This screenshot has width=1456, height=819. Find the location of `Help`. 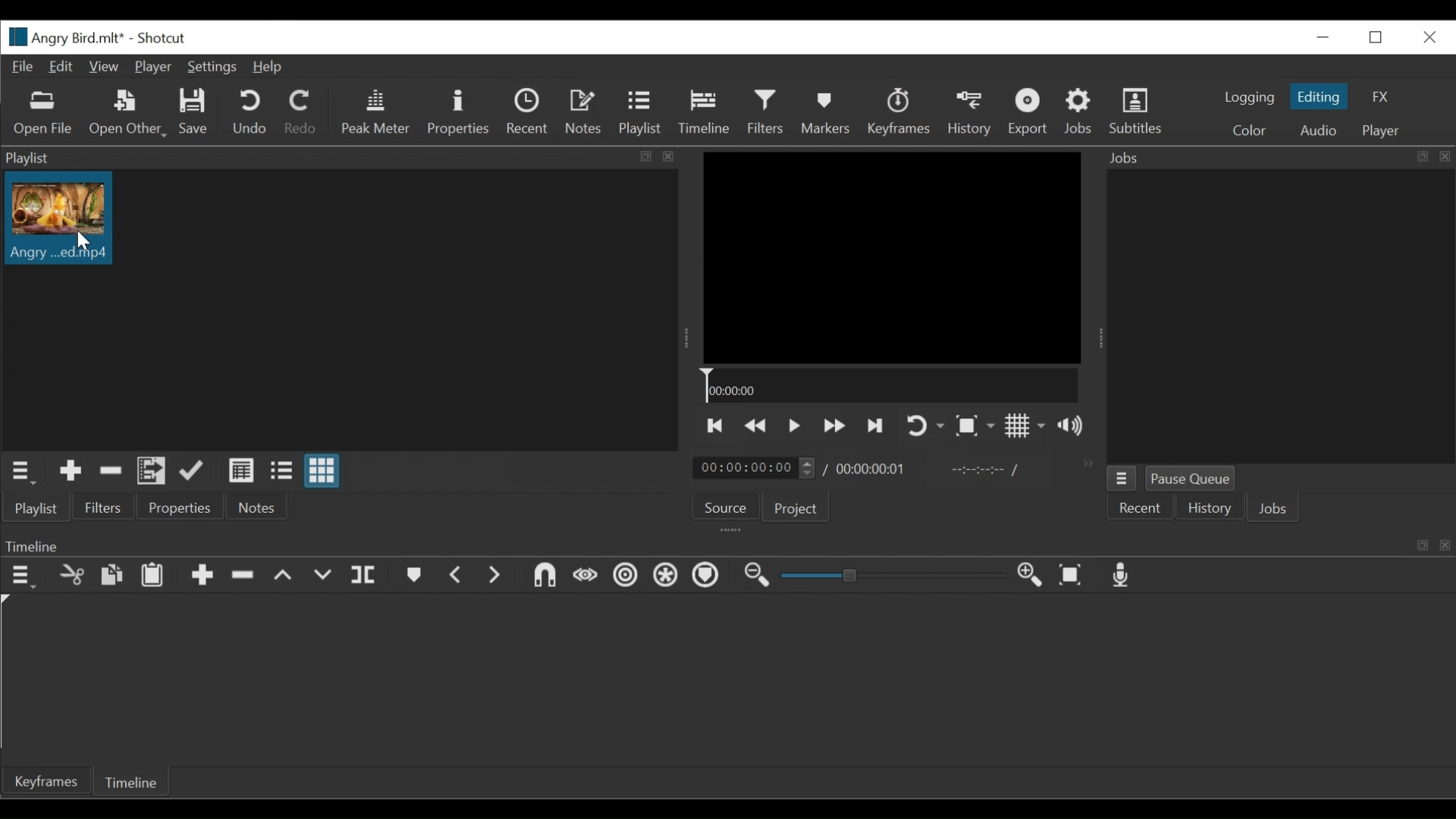

Help is located at coordinates (272, 67).